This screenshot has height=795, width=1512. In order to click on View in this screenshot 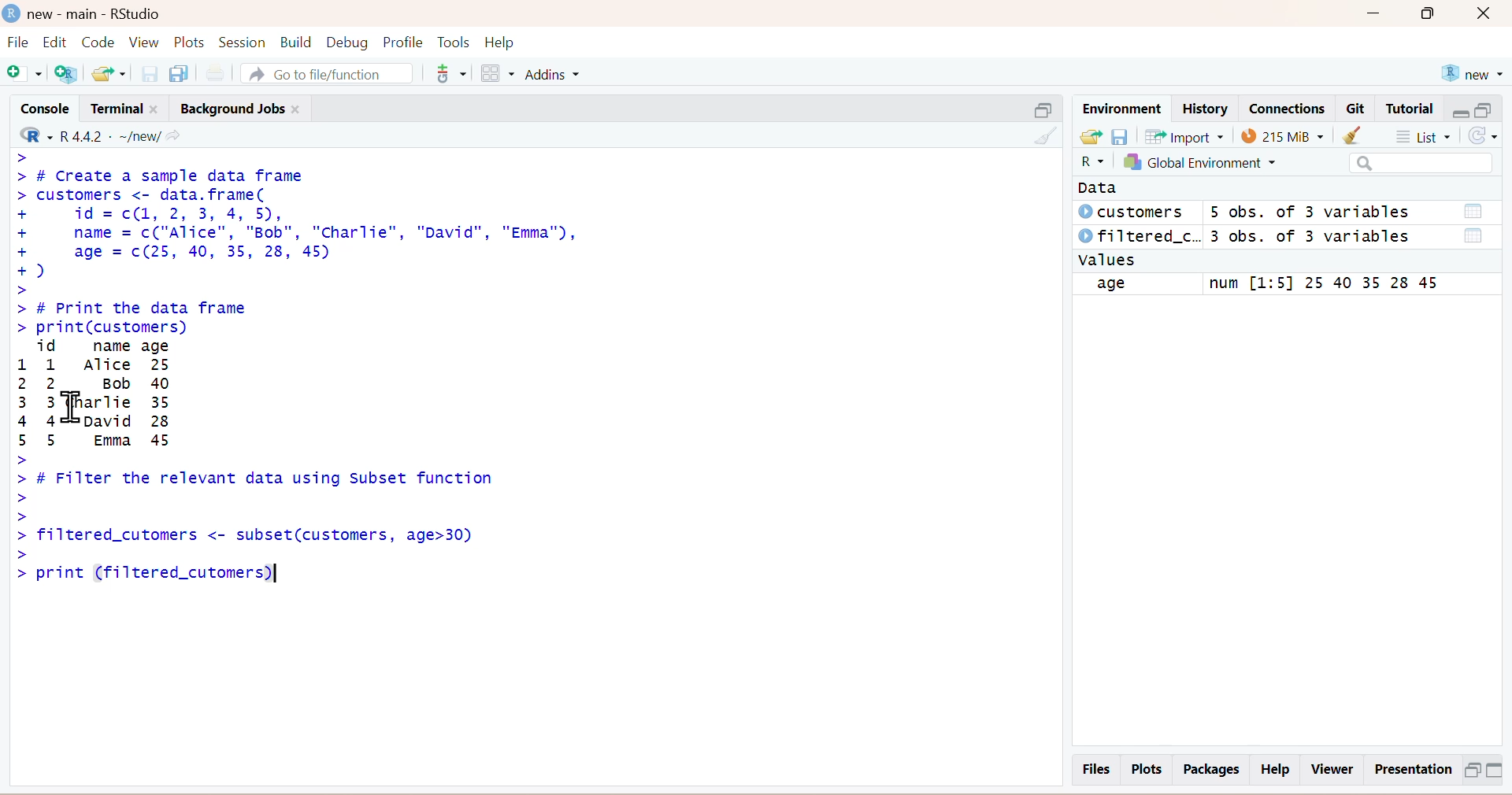, I will do `click(145, 42)`.